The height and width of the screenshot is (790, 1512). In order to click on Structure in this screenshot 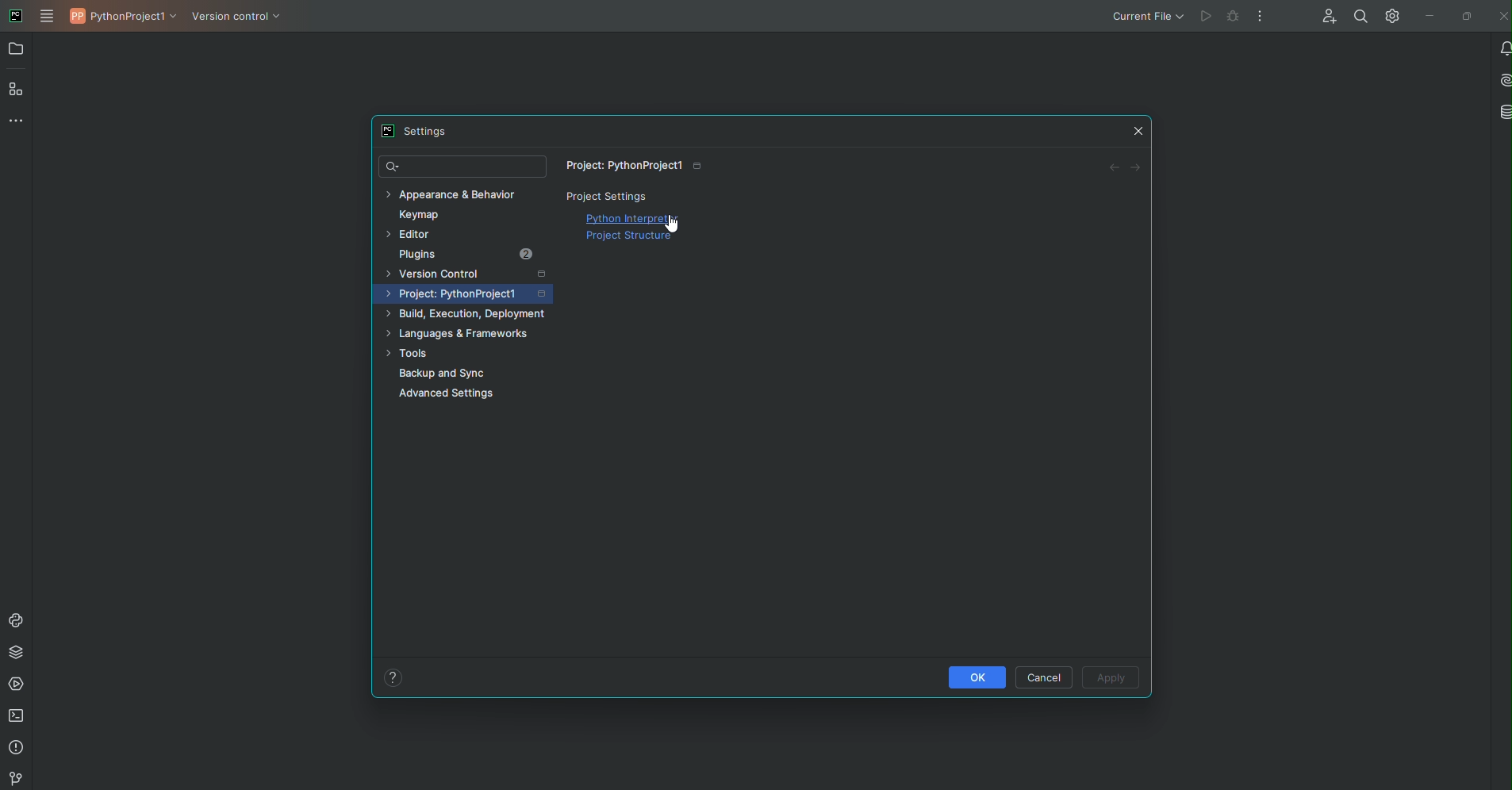, I will do `click(18, 90)`.